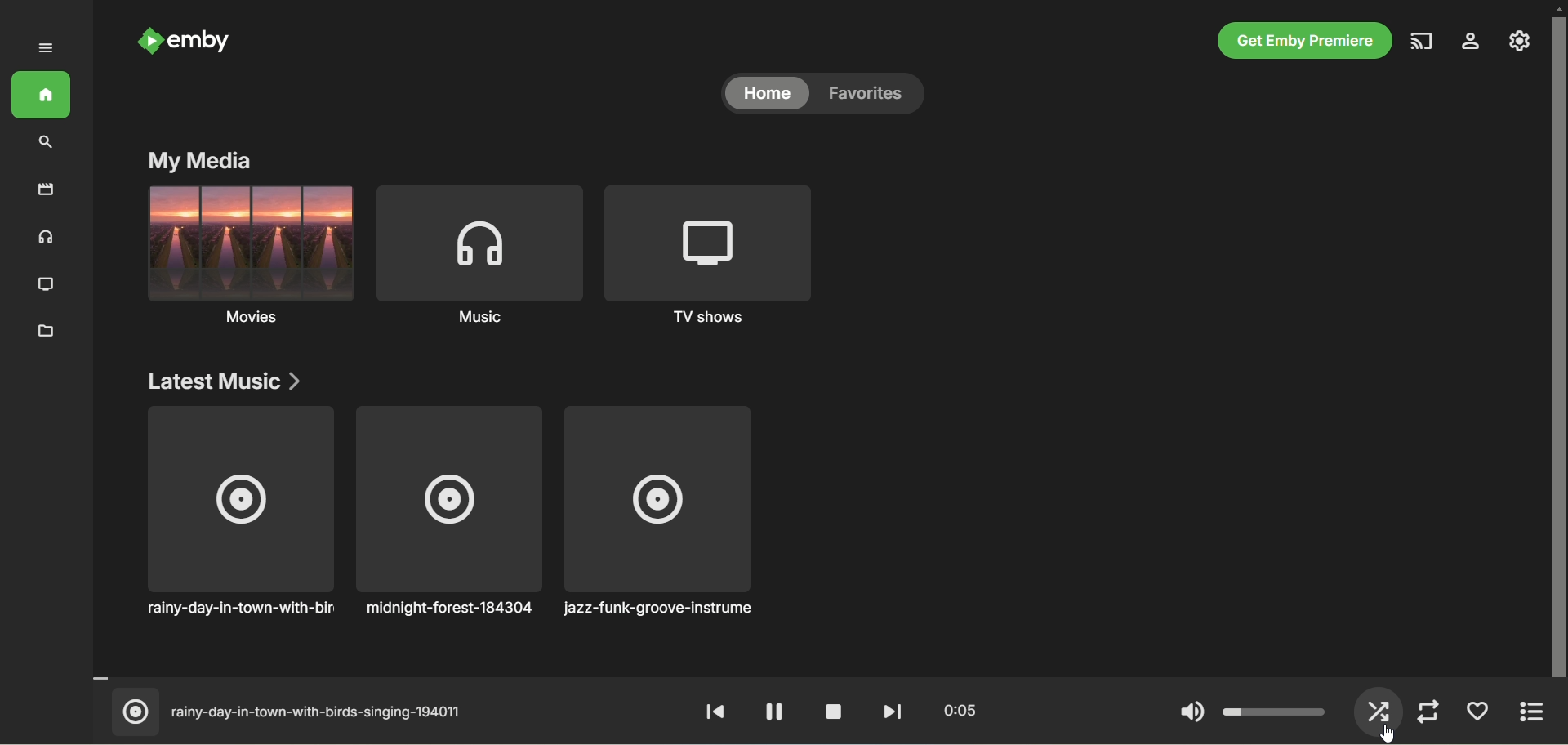 The width and height of the screenshot is (1568, 745). Describe the element at coordinates (1386, 733) in the screenshot. I see `cursor` at that location.